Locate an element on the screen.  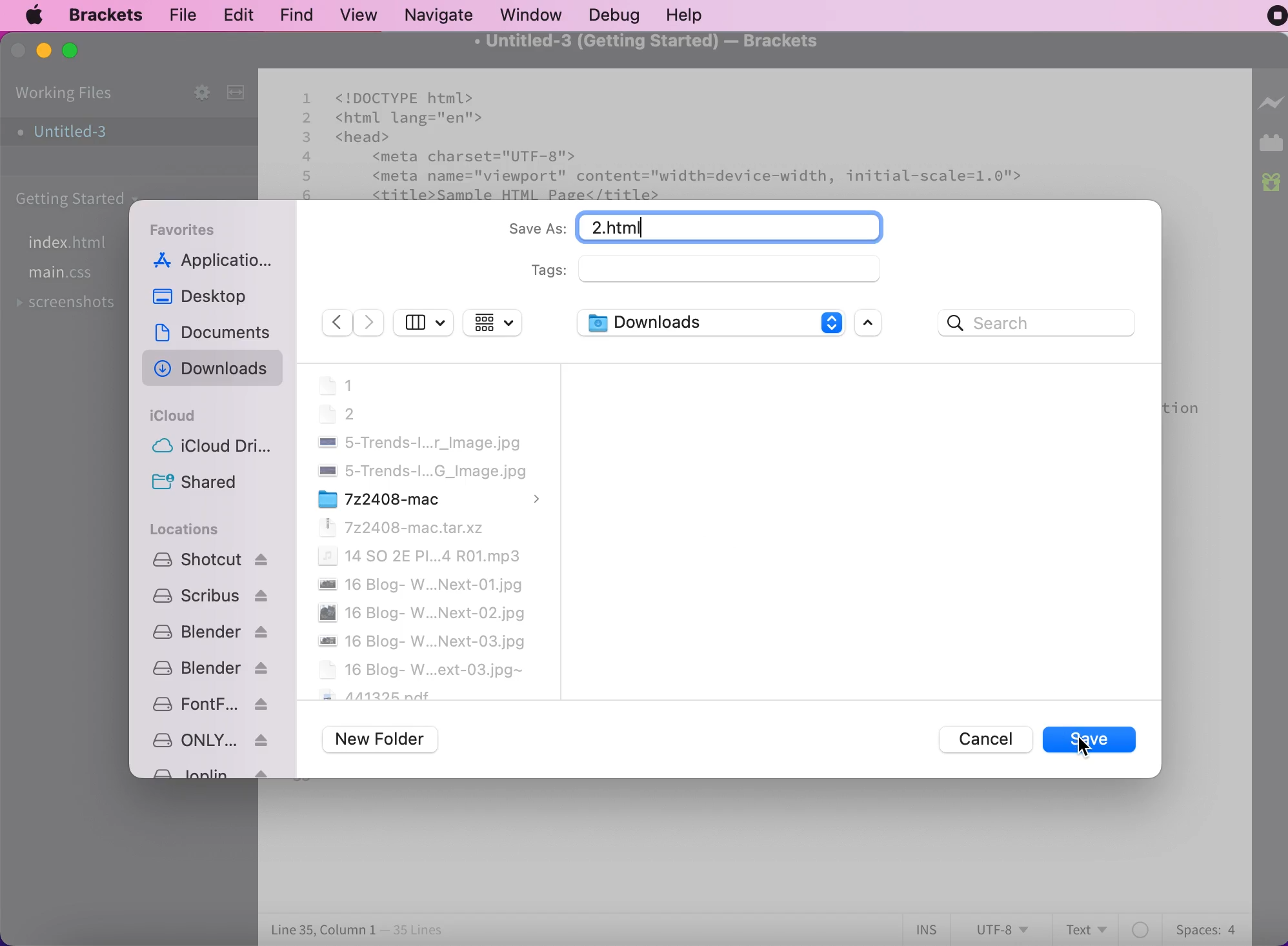
ins is located at coordinates (930, 929).